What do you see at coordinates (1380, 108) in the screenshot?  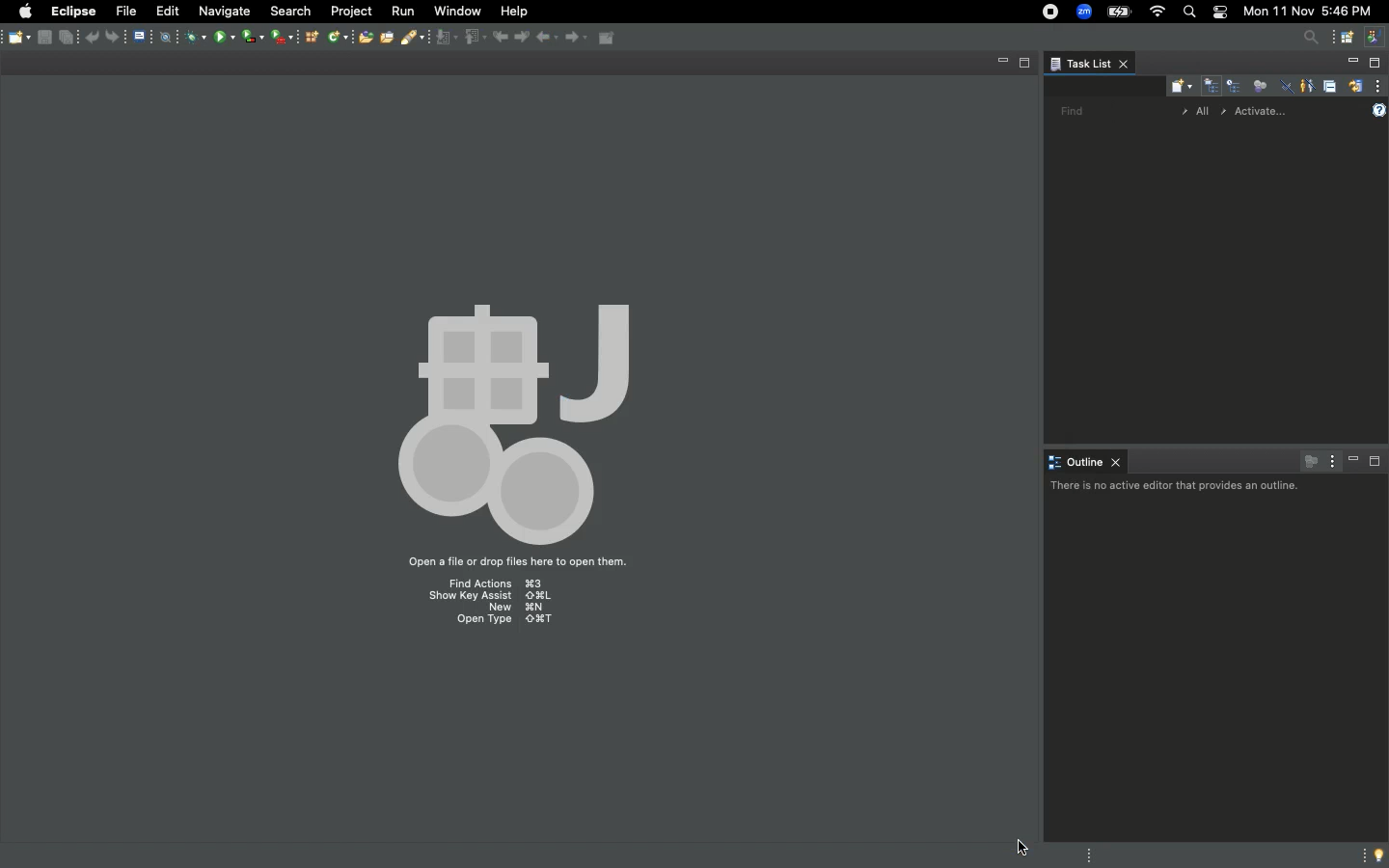 I see `Help` at bounding box center [1380, 108].